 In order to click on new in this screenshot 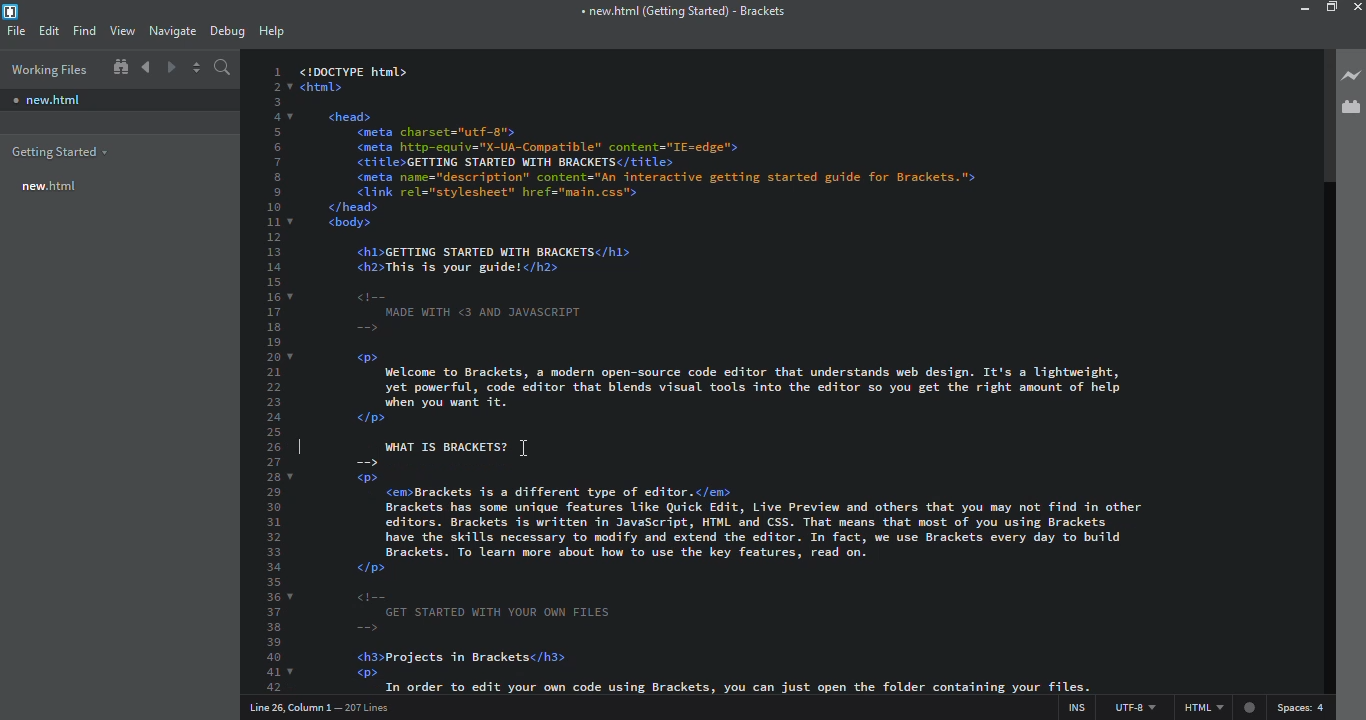, I will do `click(48, 187)`.